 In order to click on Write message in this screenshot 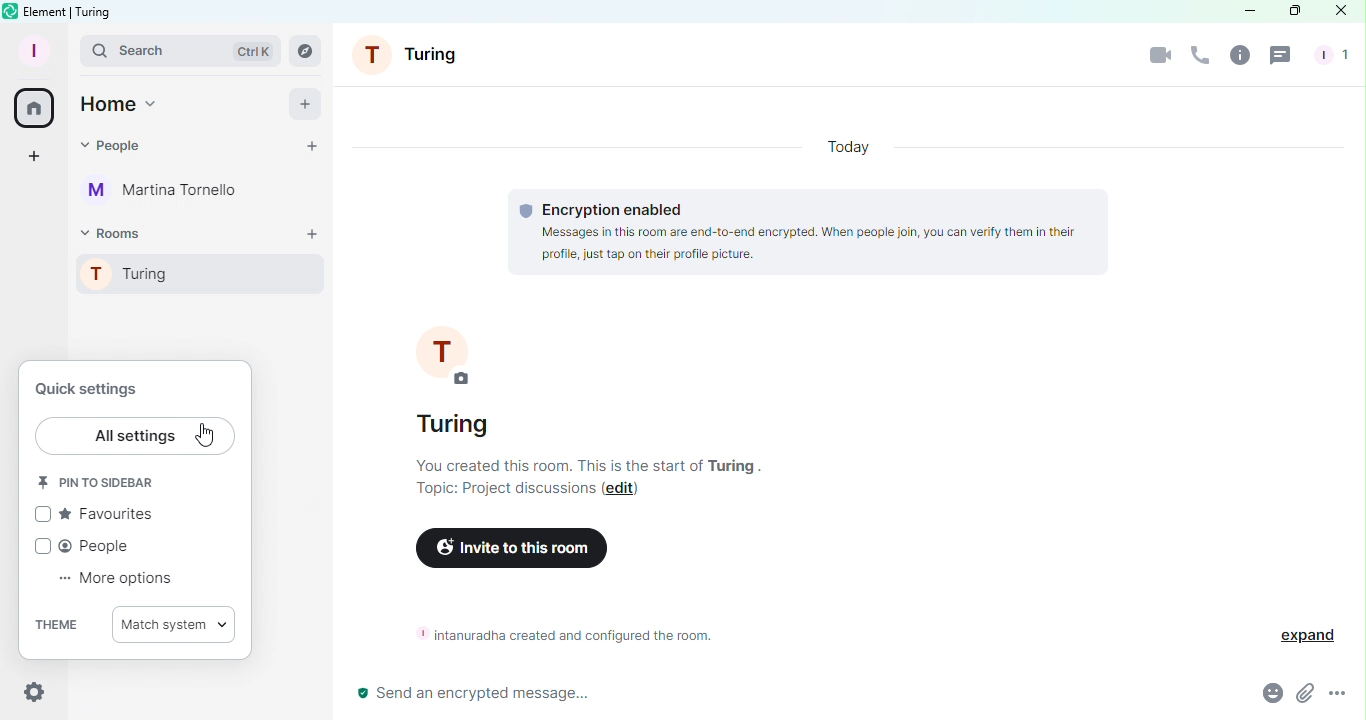, I will do `click(786, 696)`.